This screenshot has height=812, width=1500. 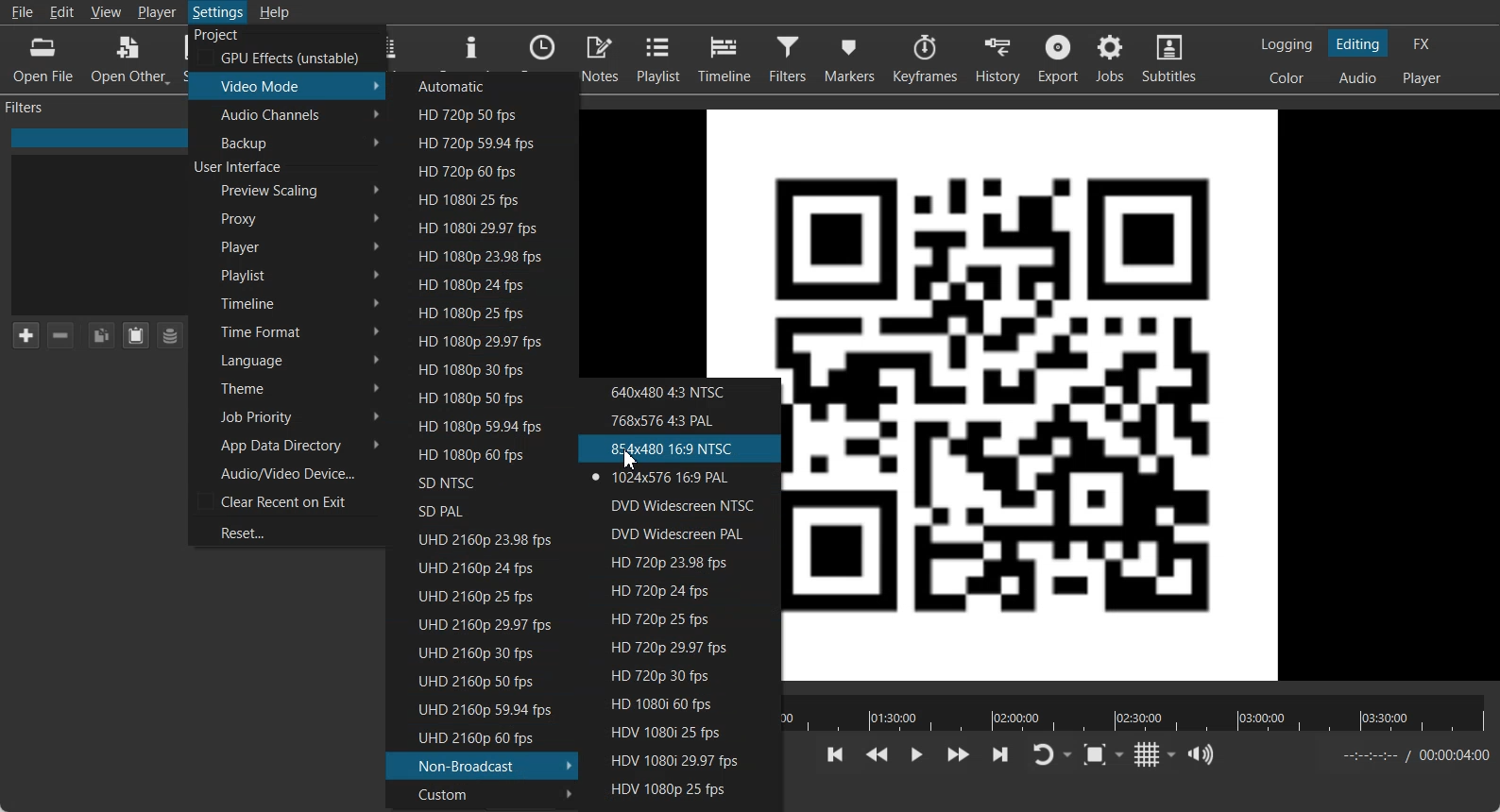 I want to click on Timeline, so click(x=724, y=59).